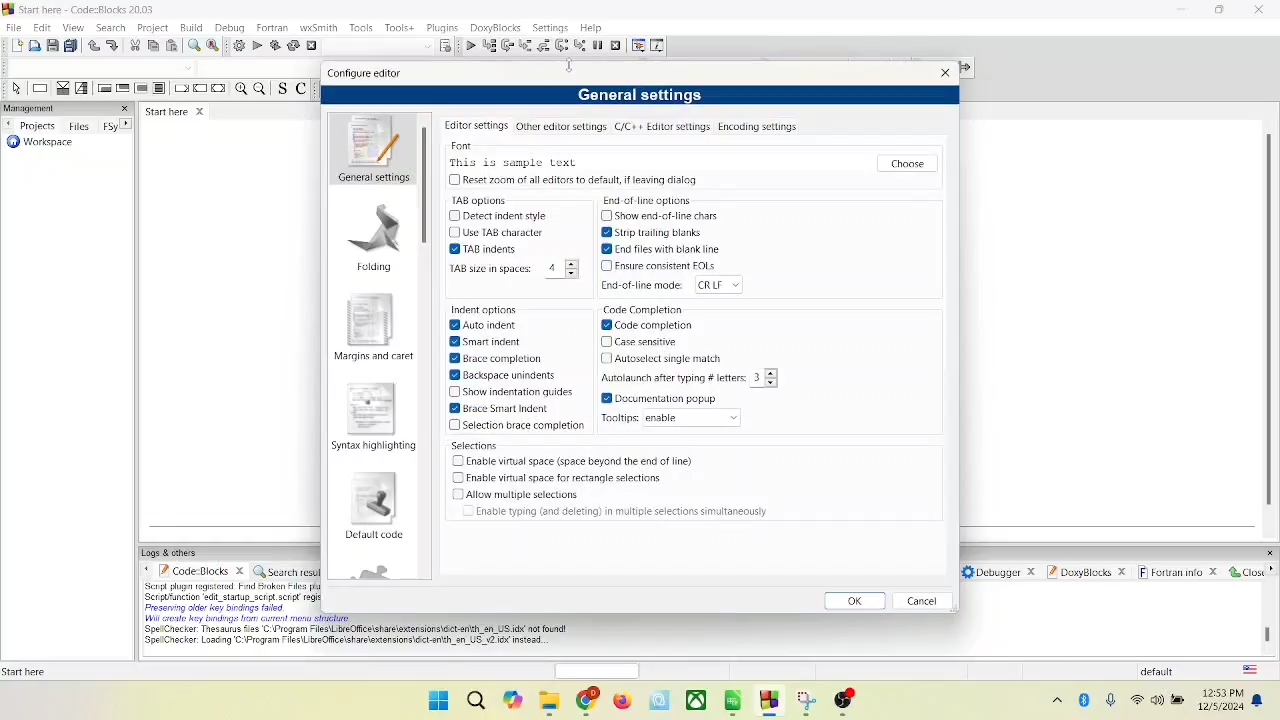 This screenshot has height=720, width=1280. Describe the element at coordinates (280, 88) in the screenshot. I see `toggle source` at that location.